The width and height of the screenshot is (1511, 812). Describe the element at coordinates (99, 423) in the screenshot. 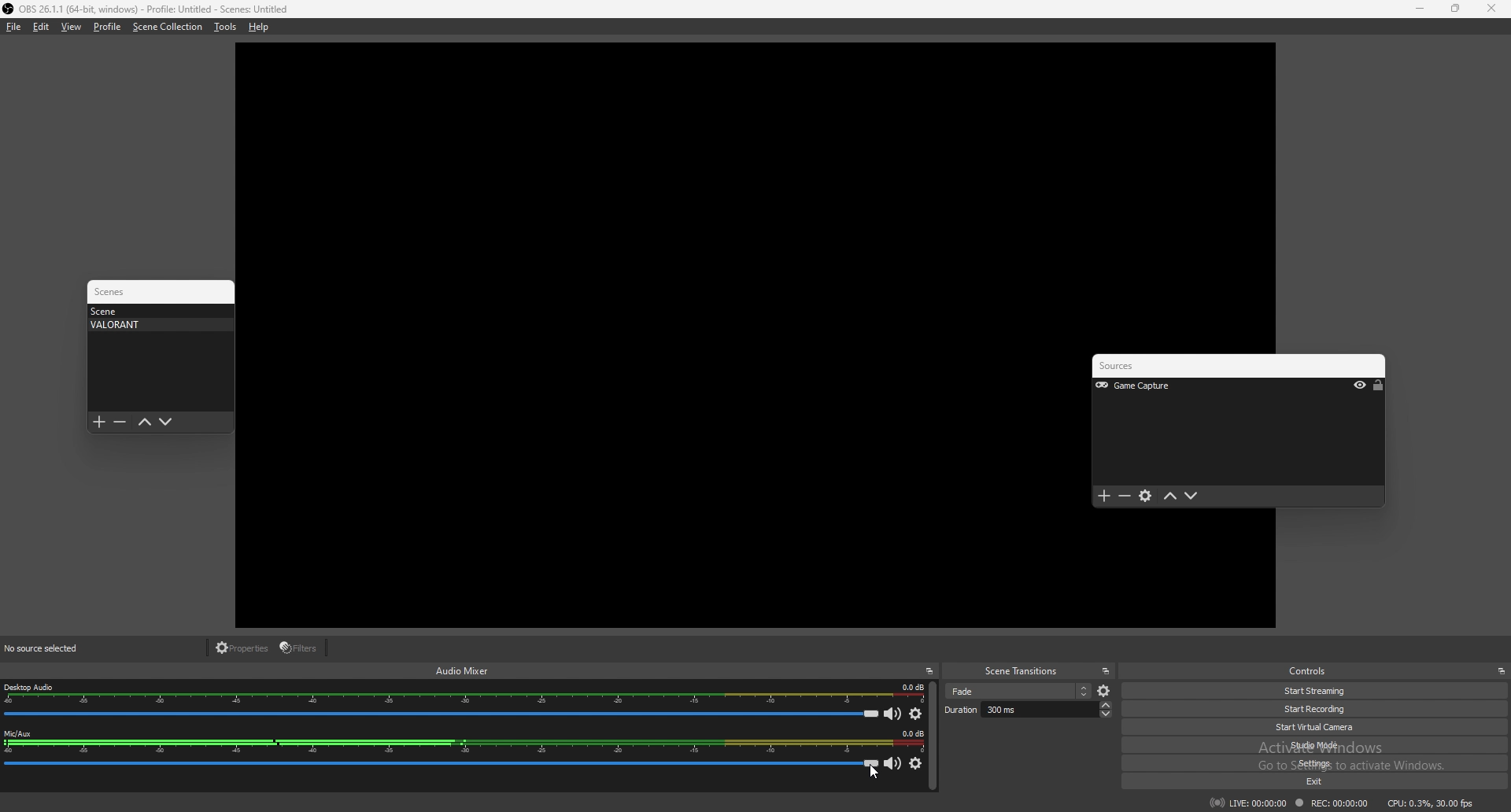

I see `add` at that location.